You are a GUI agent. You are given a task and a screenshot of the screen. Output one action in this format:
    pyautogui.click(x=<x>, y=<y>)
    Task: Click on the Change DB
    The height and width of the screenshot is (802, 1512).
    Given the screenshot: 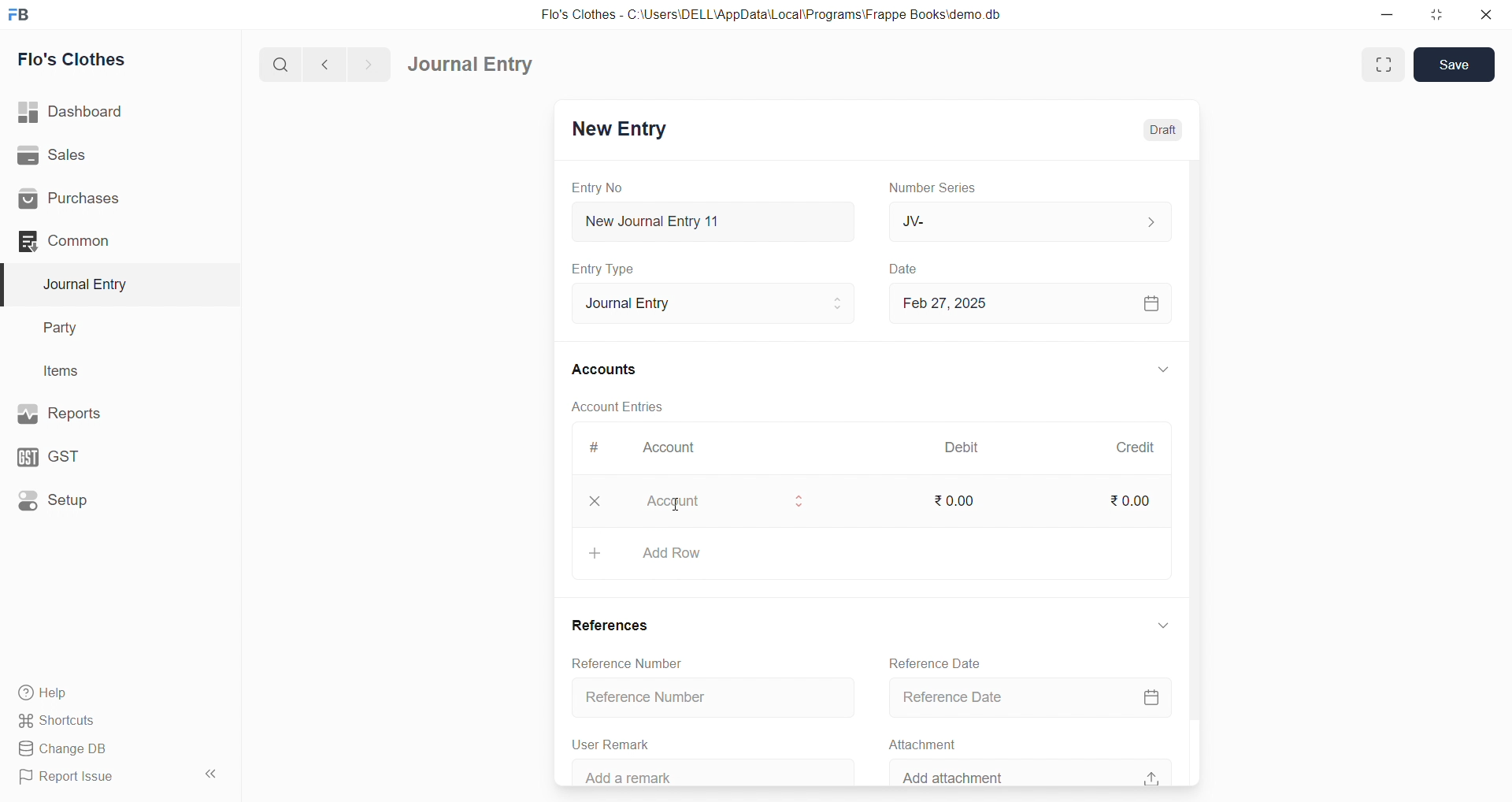 What is the action you would take?
    pyautogui.click(x=98, y=748)
    